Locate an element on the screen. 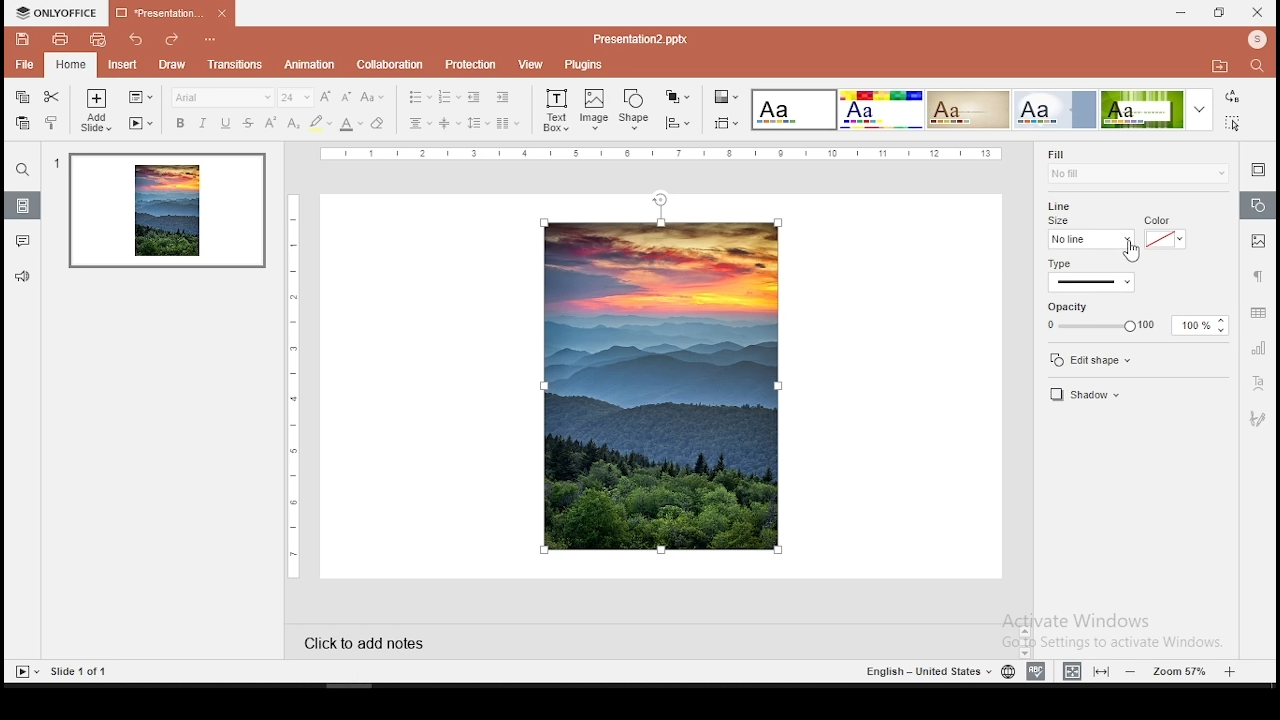 Image resolution: width=1280 pixels, height=720 pixels. slide settings is located at coordinates (1256, 169).